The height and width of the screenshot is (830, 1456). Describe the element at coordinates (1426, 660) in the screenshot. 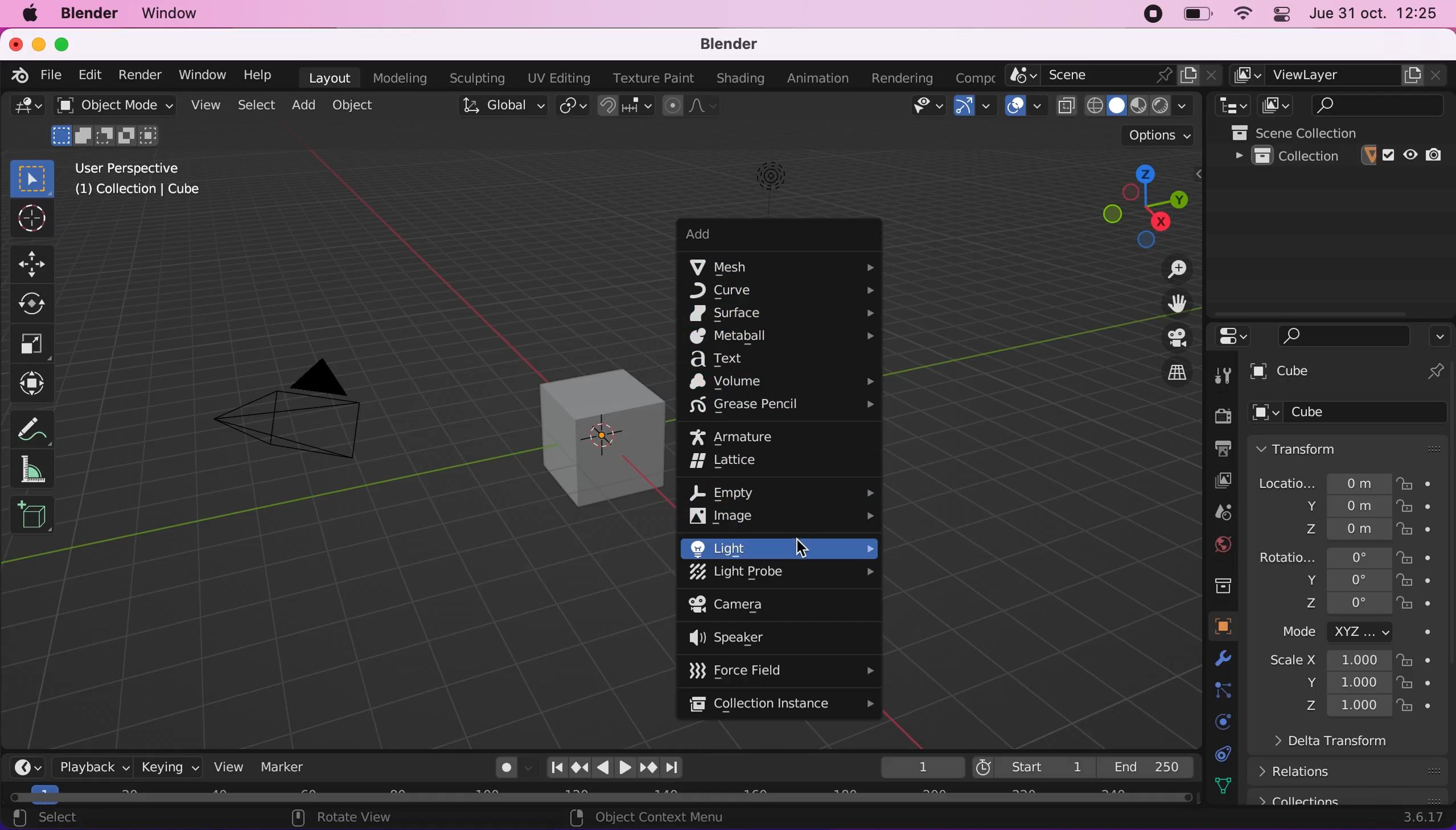

I see `lock` at that location.